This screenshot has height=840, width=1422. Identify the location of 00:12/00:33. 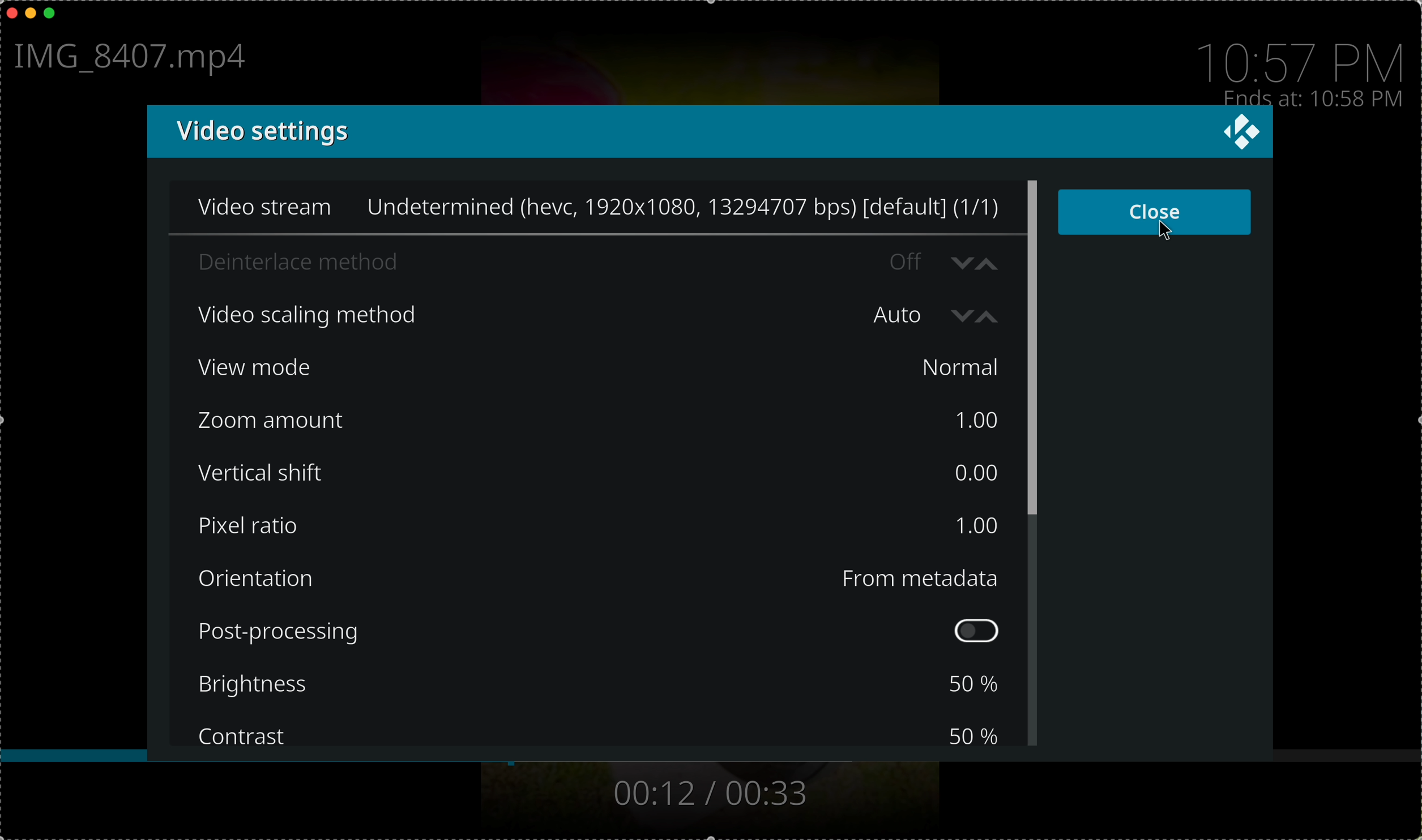
(707, 793).